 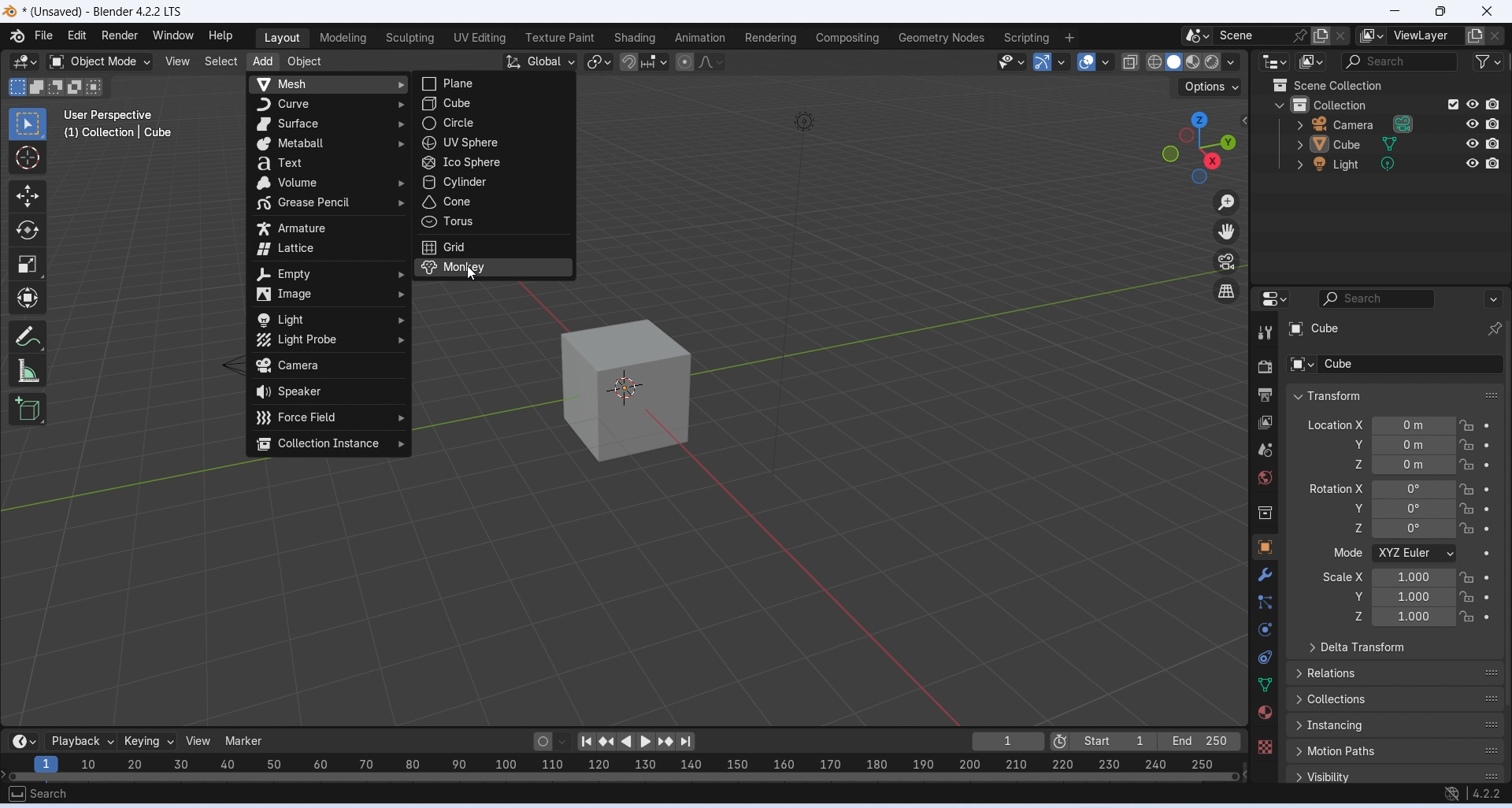 What do you see at coordinates (330, 144) in the screenshot?
I see `metaball` at bounding box center [330, 144].